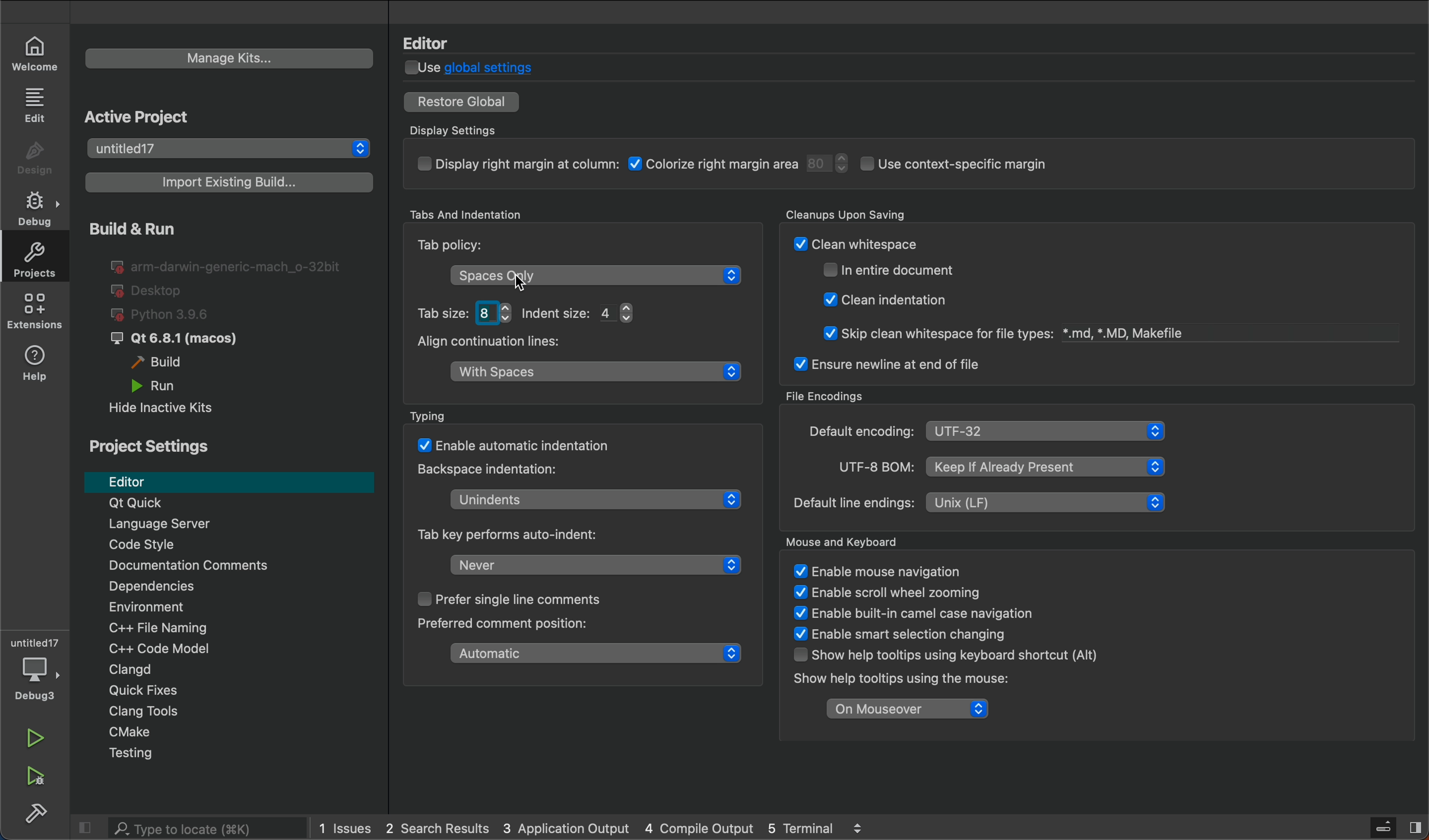 This screenshot has height=840, width=1429. Describe the element at coordinates (233, 692) in the screenshot. I see `Quick fixes` at that location.